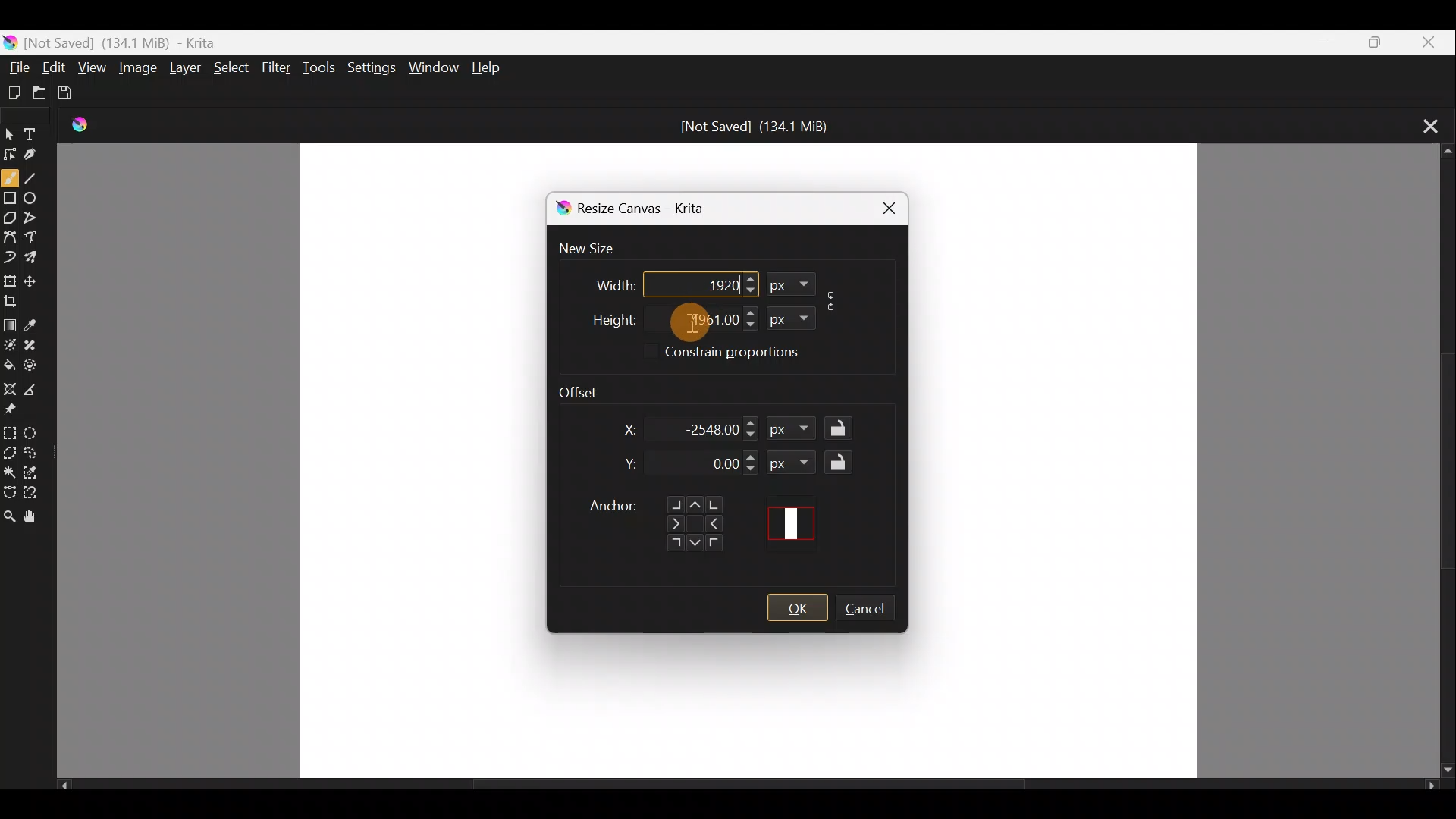  I want to click on New size, so click(596, 249).